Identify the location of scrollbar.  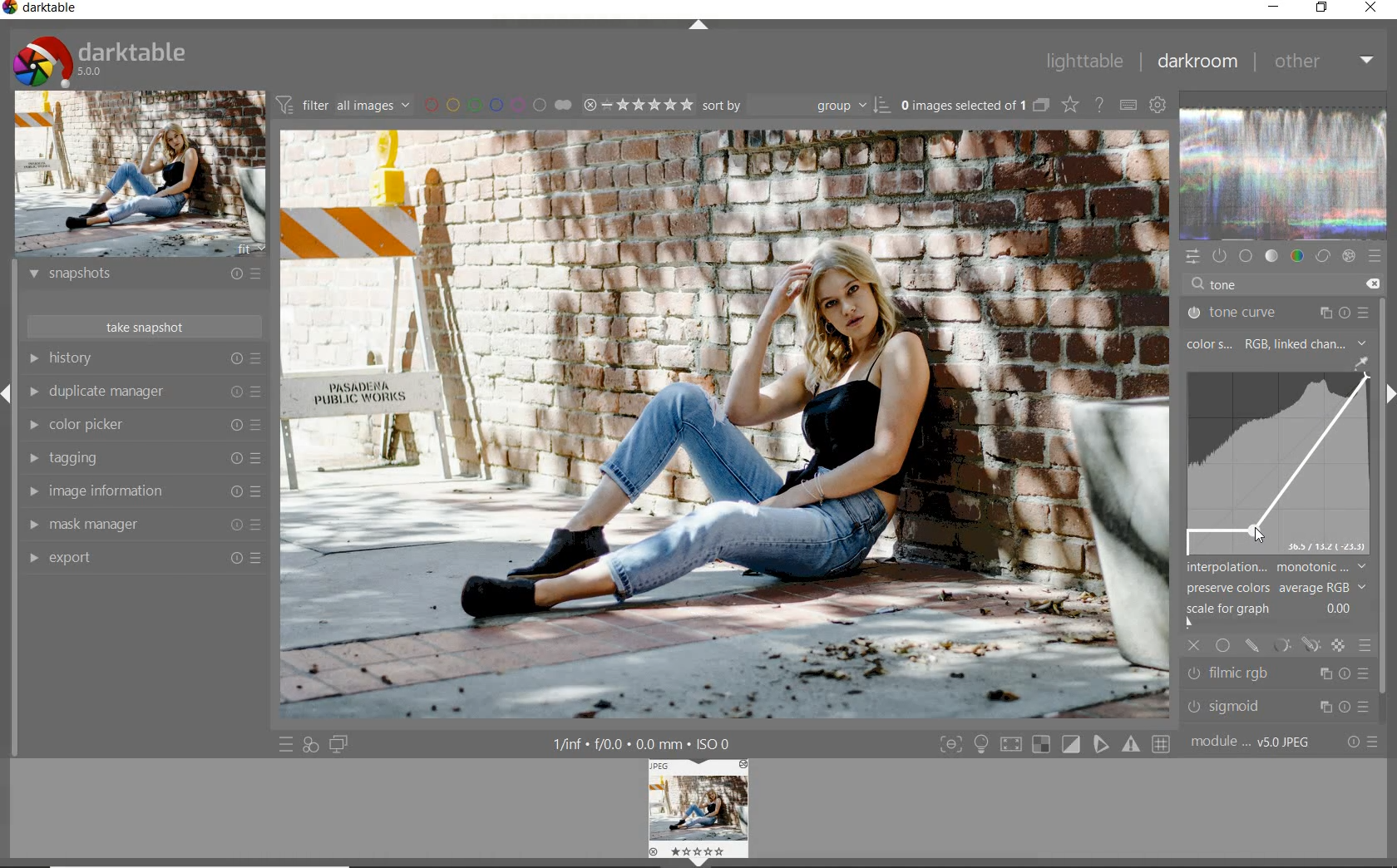
(1387, 498).